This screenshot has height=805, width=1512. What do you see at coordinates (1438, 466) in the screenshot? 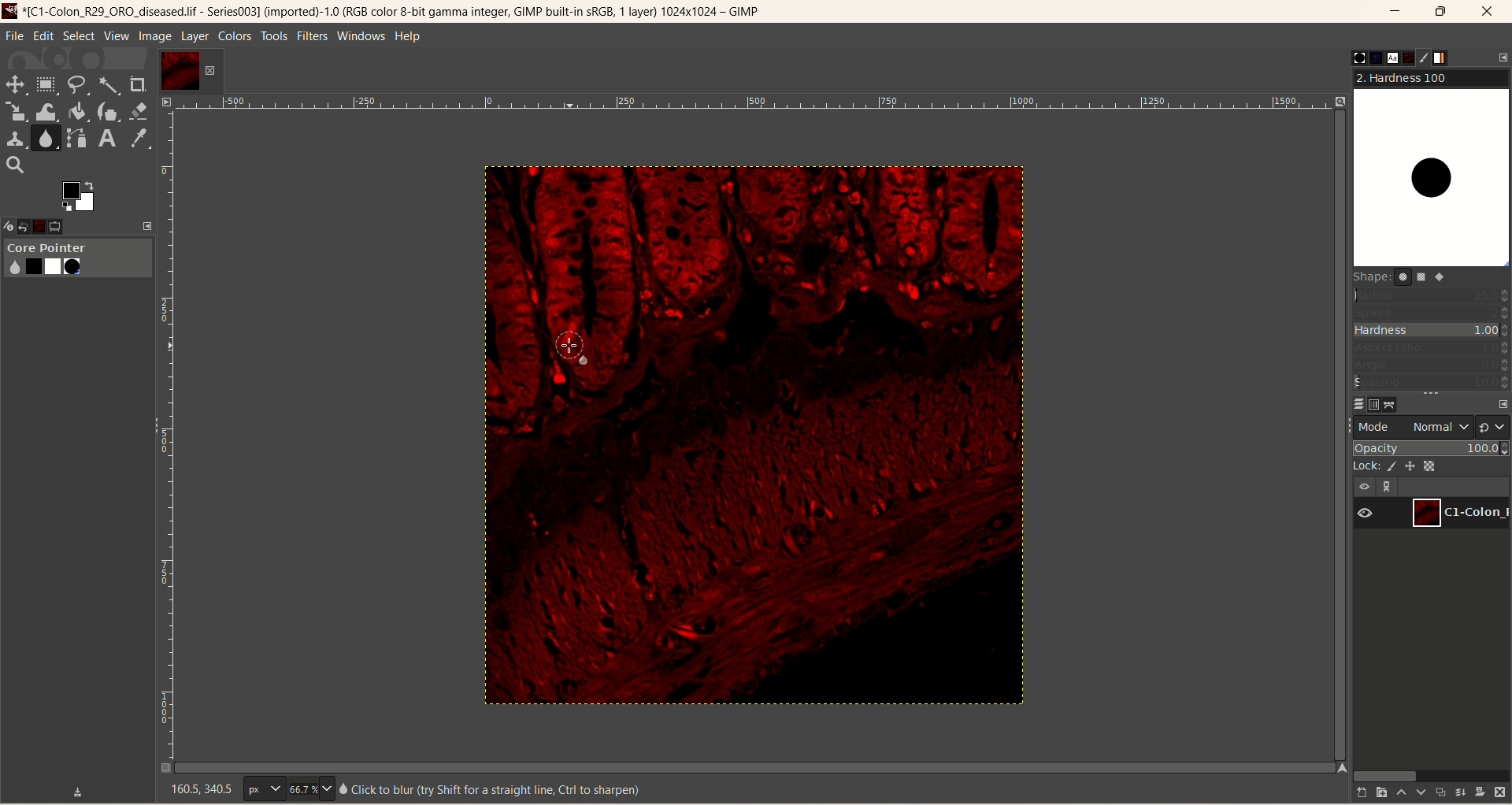
I see `lock alpha channel` at bounding box center [1438, 466].